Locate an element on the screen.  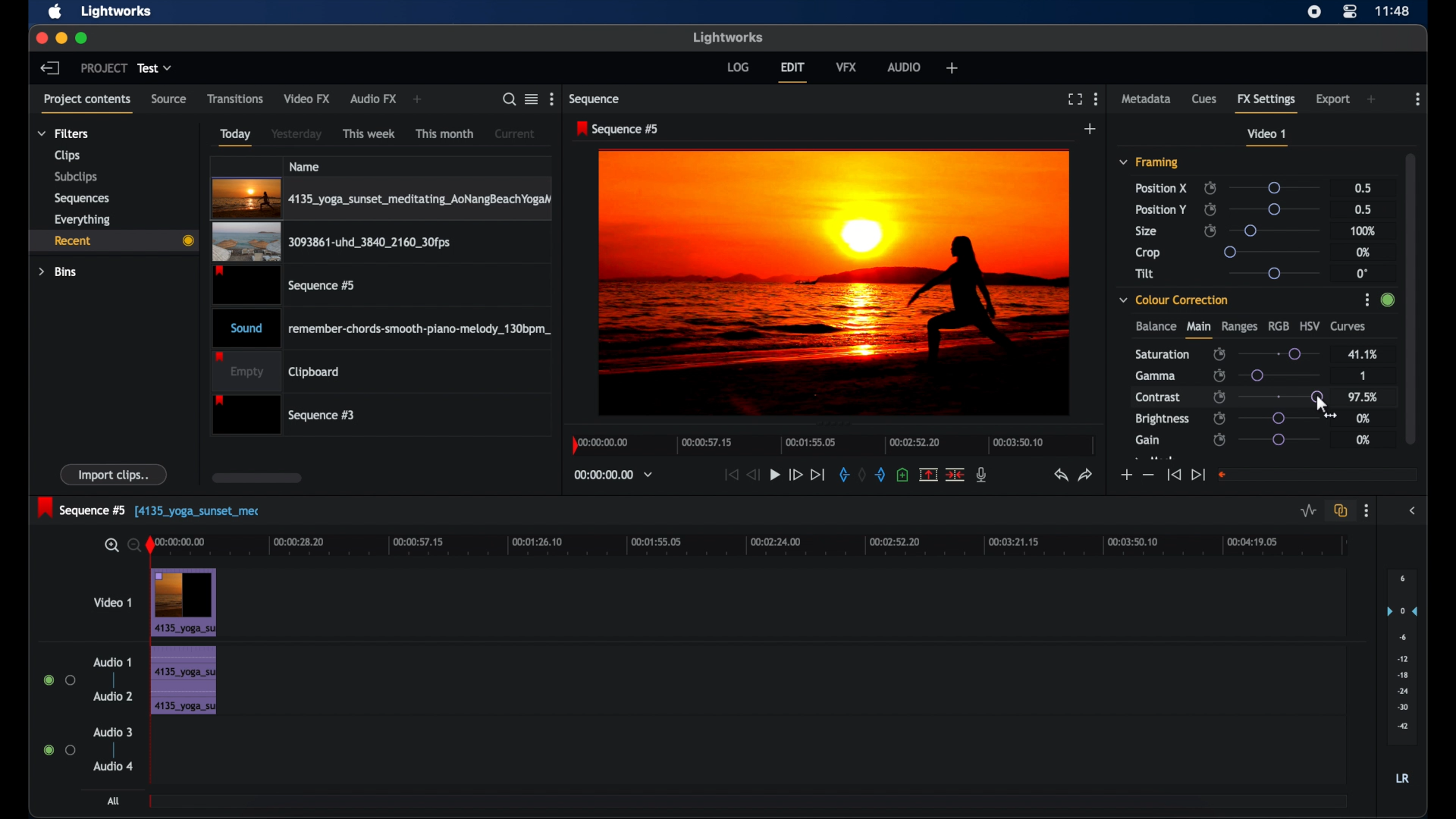
0.5 is located at coordinates (1362, 209).